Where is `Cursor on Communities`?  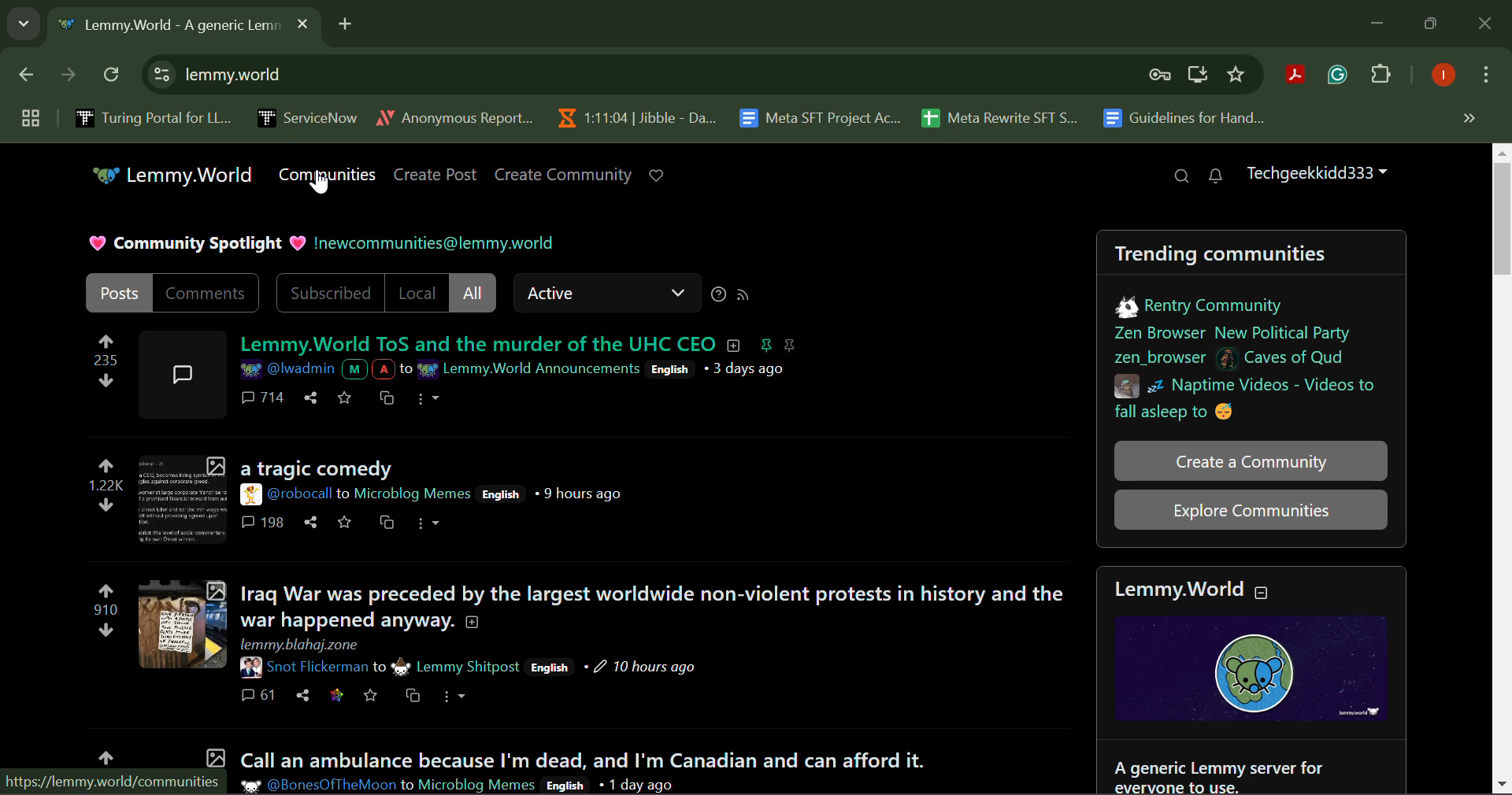
Cursor on Communities is located at coordinates (321, 184).